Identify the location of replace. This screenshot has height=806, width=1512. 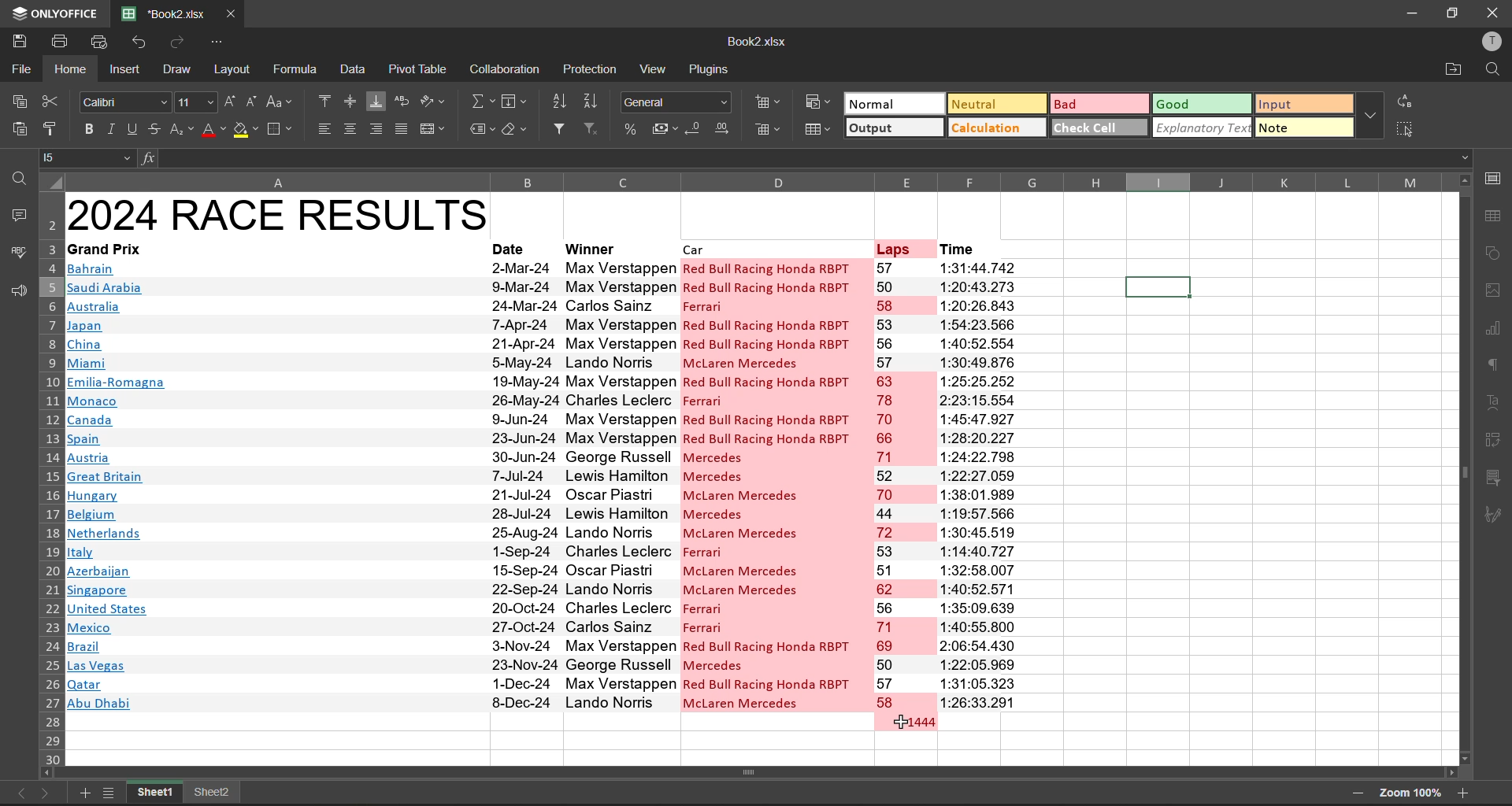
(1410, 102).